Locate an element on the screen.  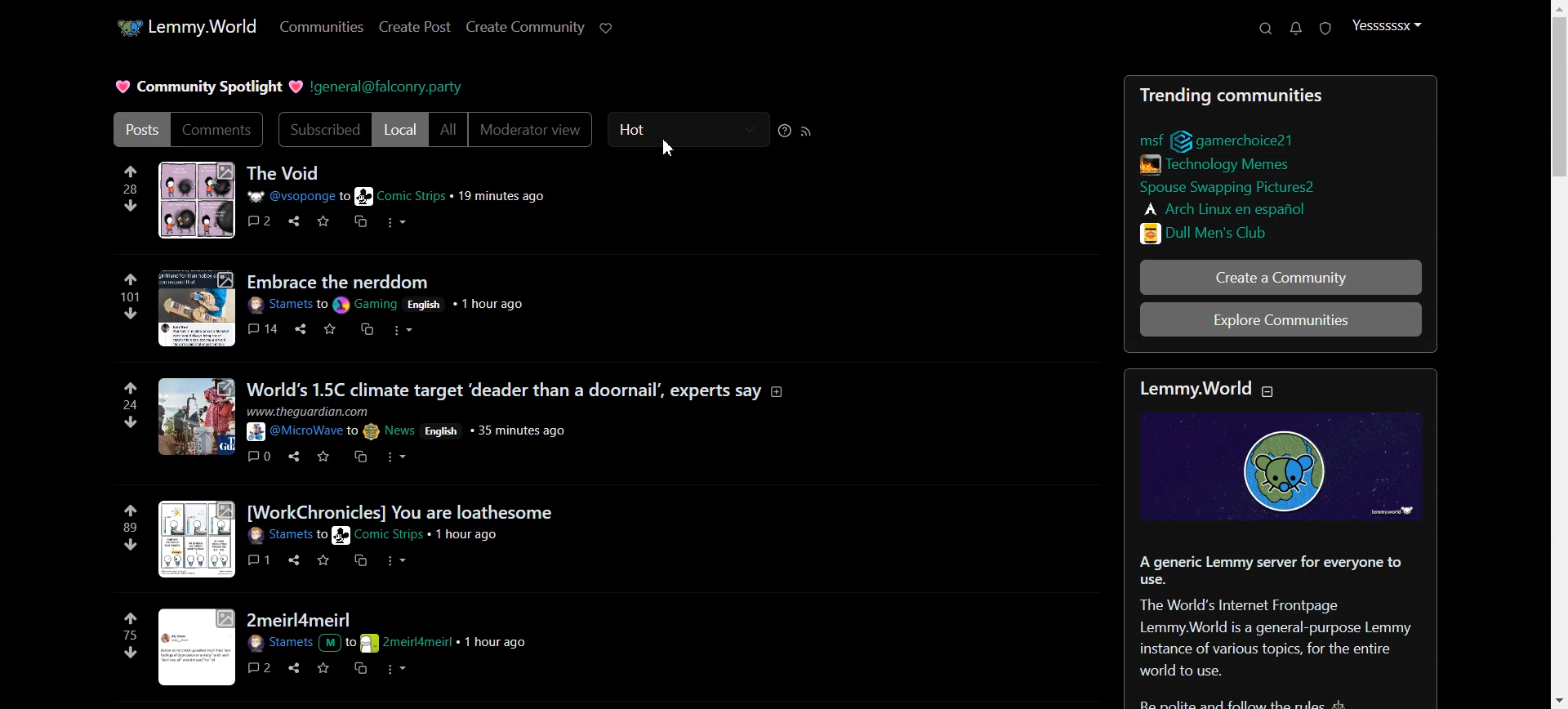
post details is located at coordinates (383, 305).